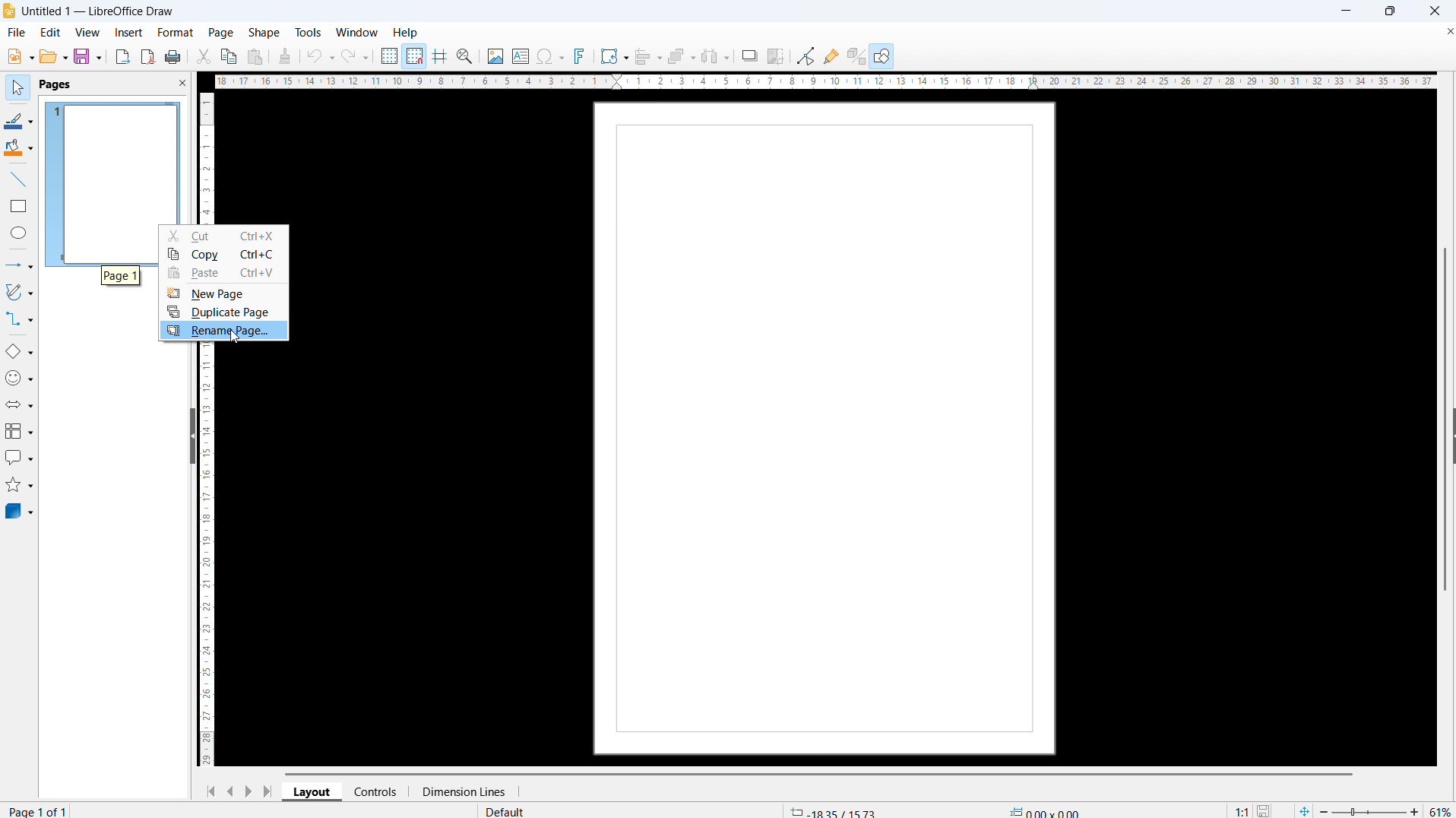 Image resolution: width=1456 pixels, height=818 pixels. I want to click on show gluepoint functions, so click(830, 55).